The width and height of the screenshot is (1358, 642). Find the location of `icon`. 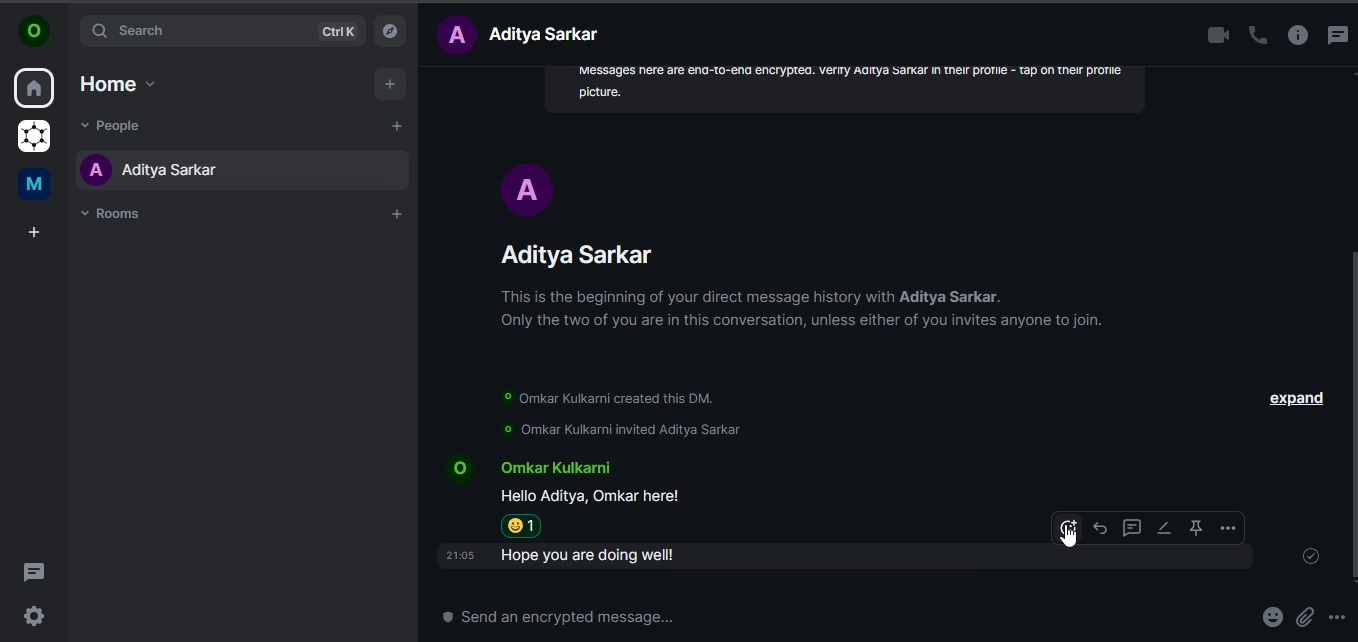

icon is located at coordinates (34, 32).